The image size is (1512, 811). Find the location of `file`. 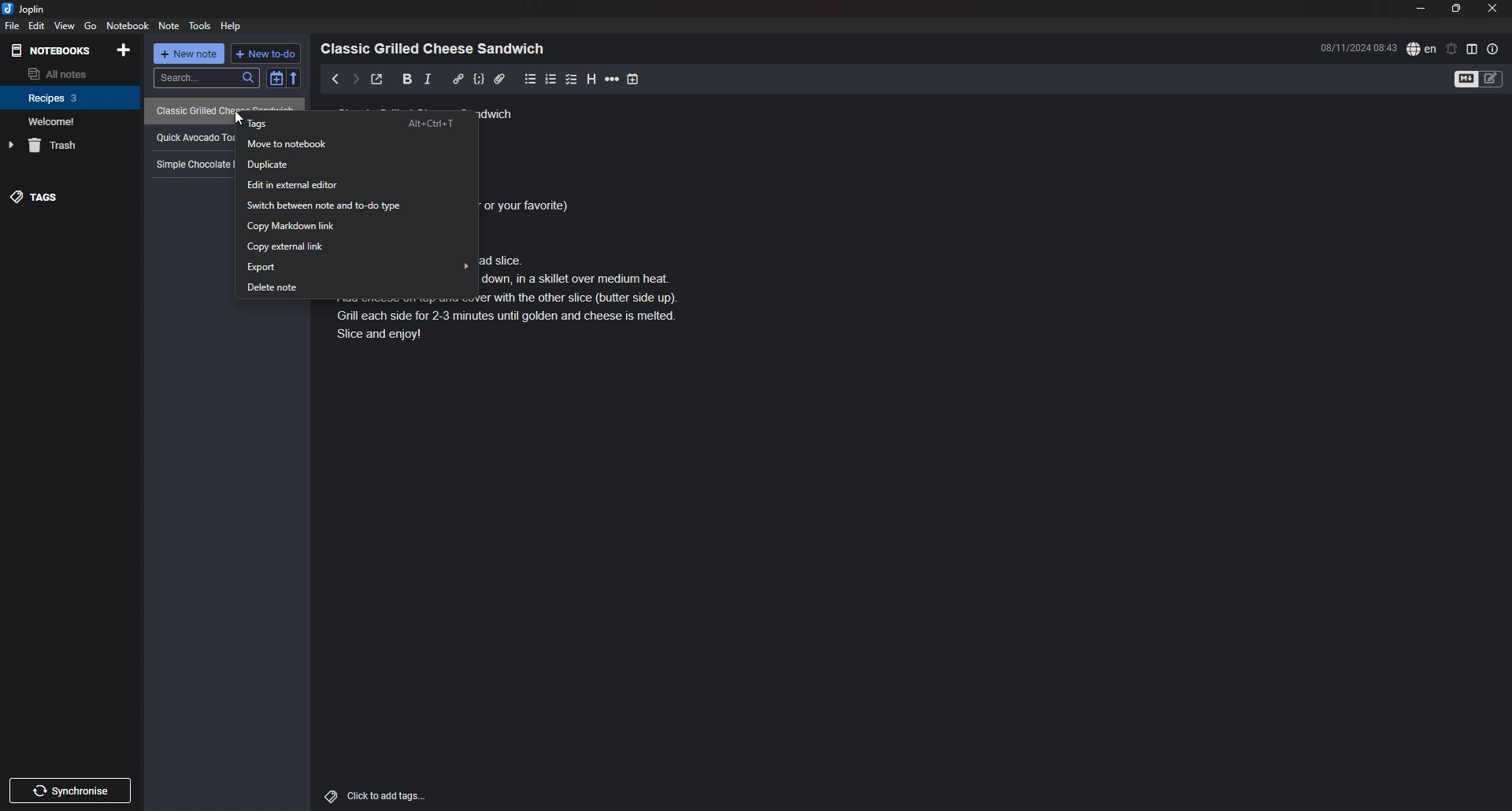

file is located at coordinates (11, 25).